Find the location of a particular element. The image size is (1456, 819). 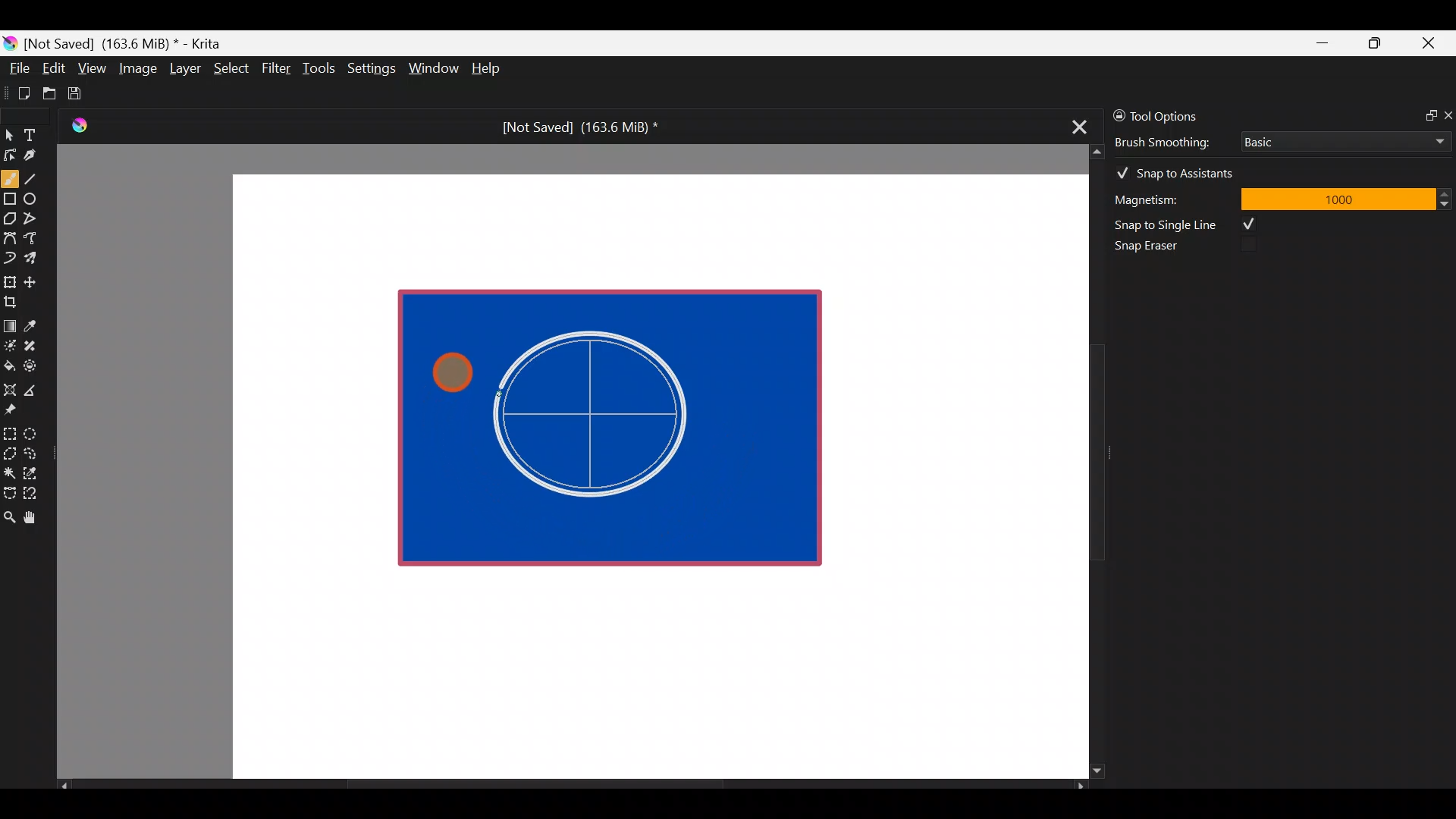

Snap eraser is located at coordinates (1156, 249).